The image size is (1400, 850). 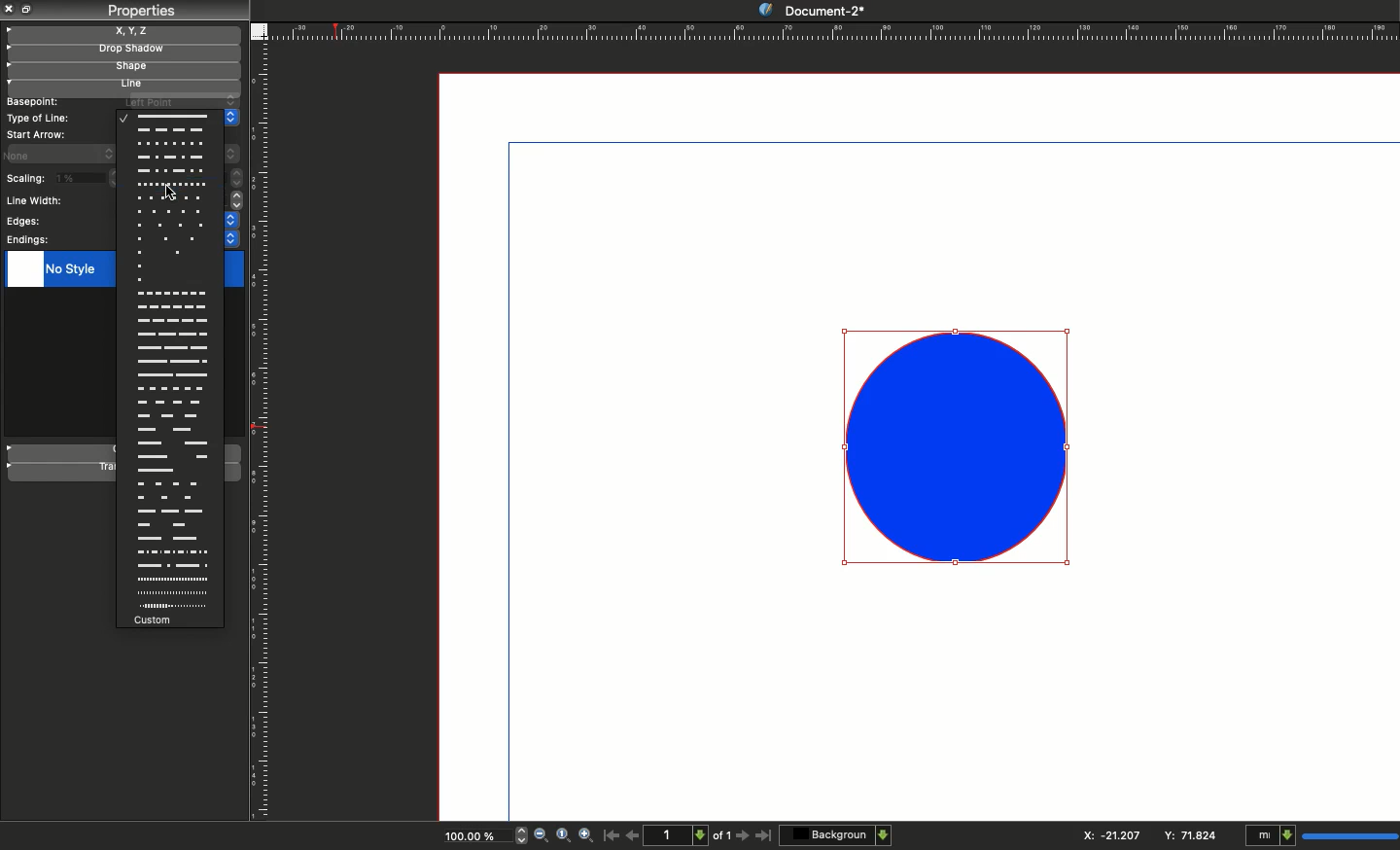 I want to click on Line, so click(x=119, y=86).